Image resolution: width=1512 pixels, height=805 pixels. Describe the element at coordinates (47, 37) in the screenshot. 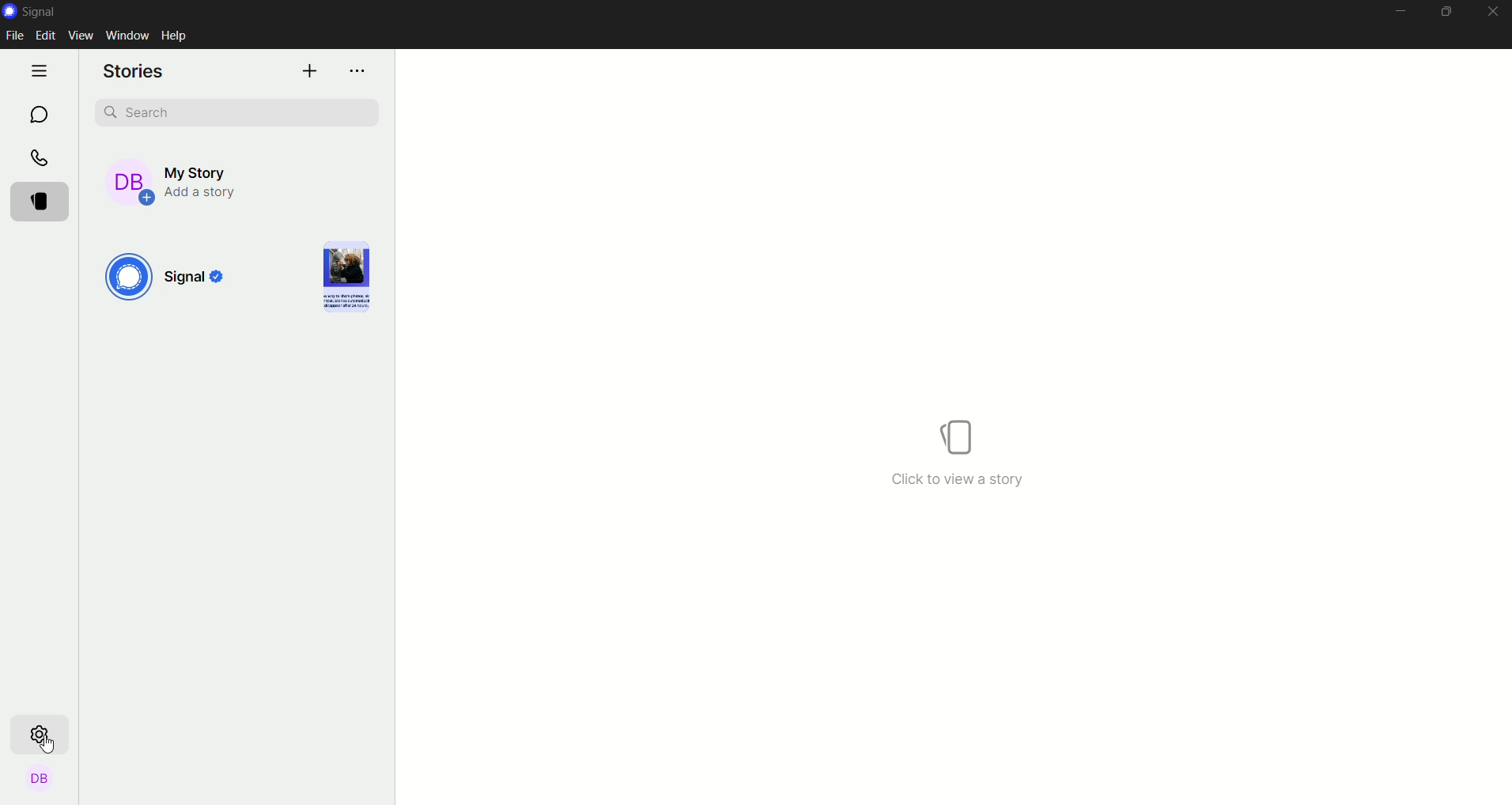

I see `edit` at that location.